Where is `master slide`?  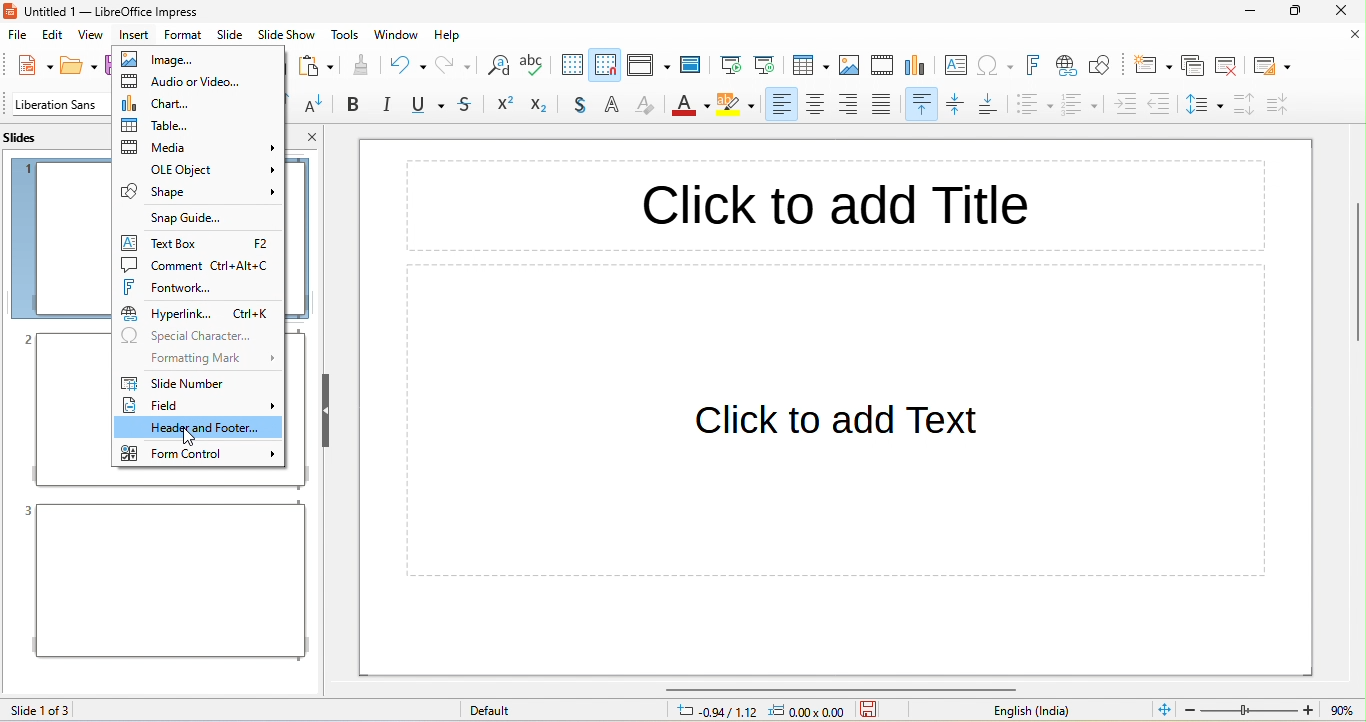 master slide is located at coordinates (695, 64).